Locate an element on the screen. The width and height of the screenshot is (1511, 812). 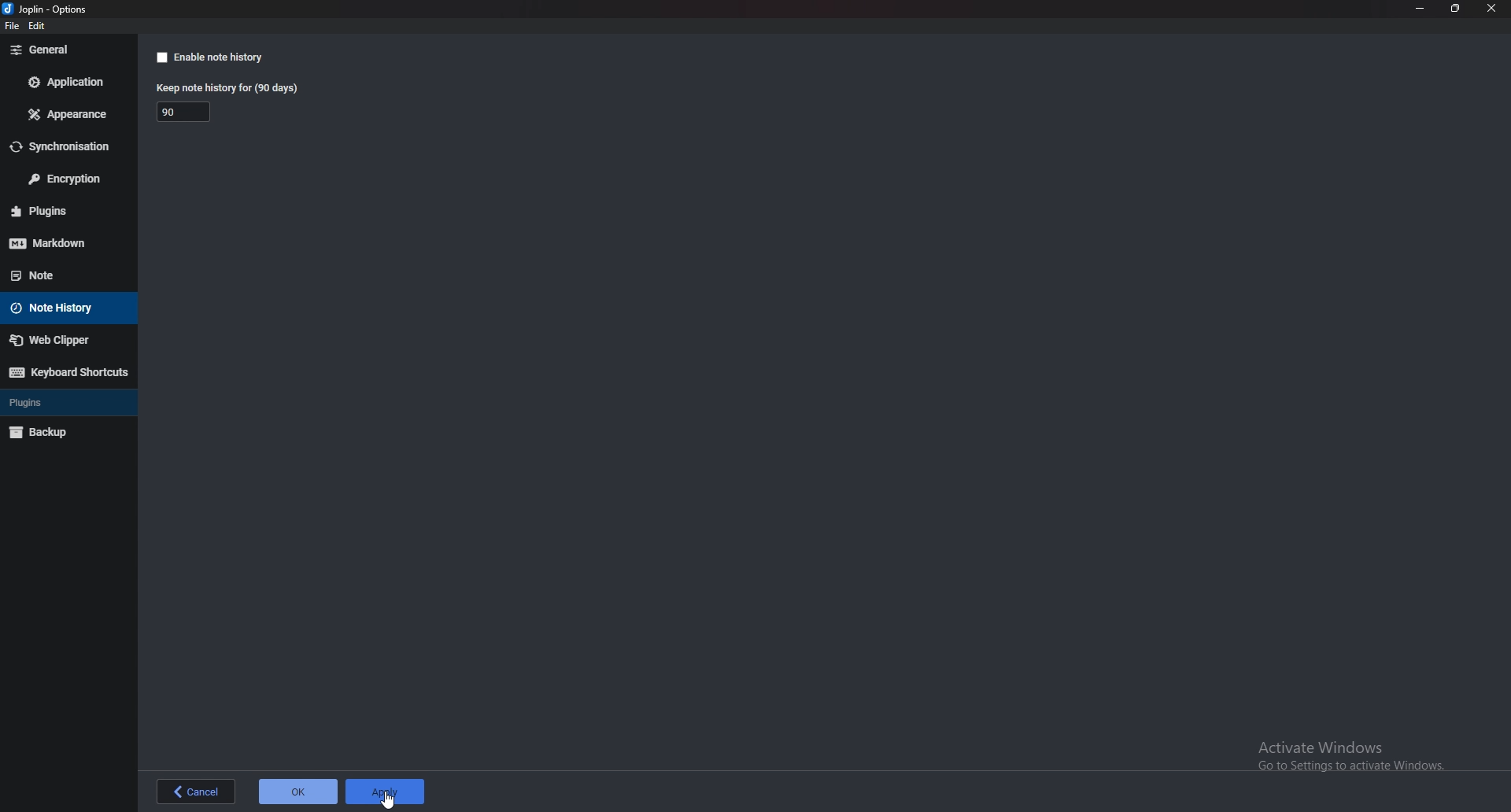
back is located at coordinates (196, 792).